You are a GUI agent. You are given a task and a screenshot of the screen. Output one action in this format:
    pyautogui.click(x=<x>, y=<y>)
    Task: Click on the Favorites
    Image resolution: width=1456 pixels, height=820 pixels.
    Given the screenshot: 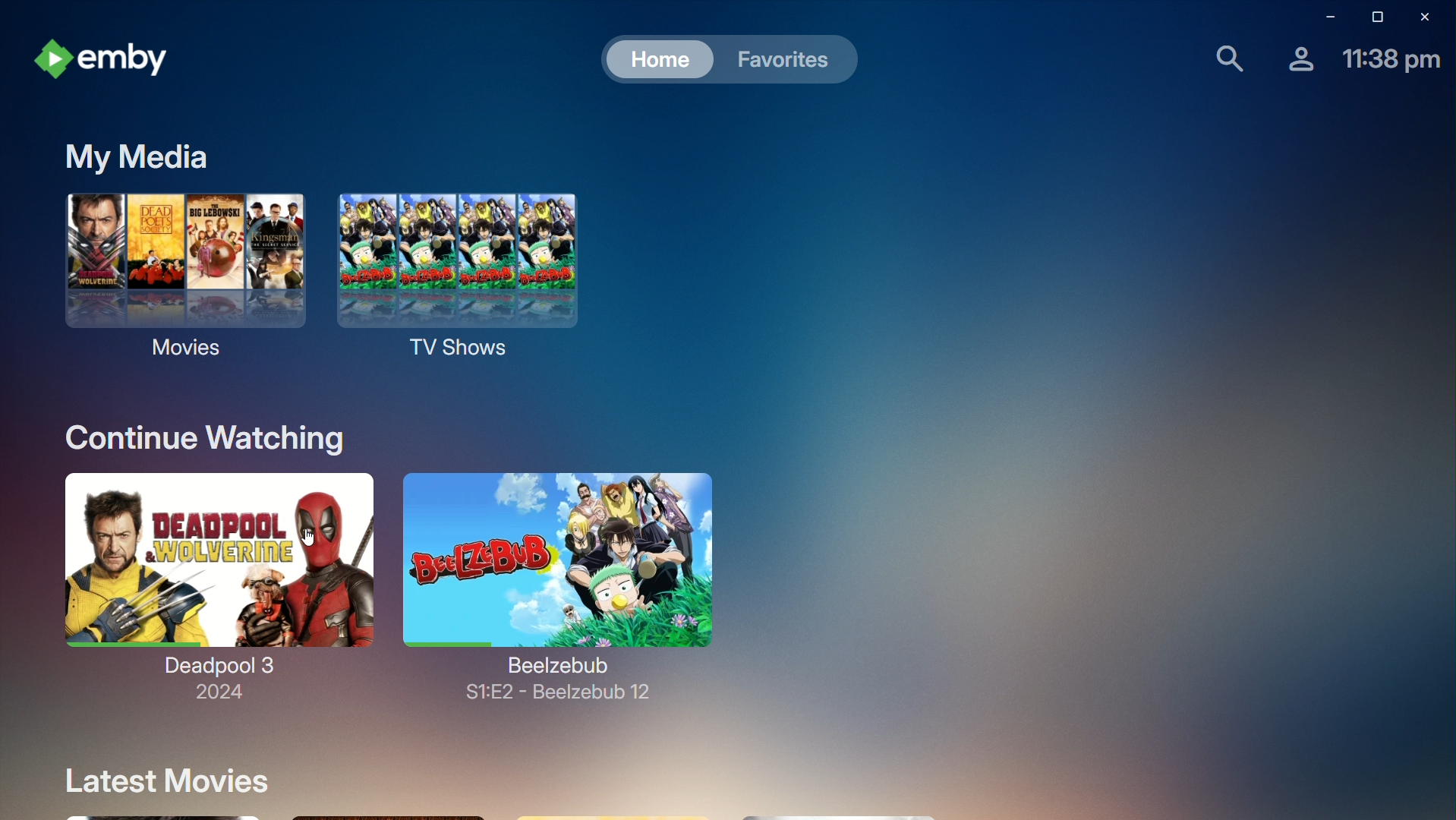 What is the action you would take?
    pyautogui.click(x=775, y=59)
    